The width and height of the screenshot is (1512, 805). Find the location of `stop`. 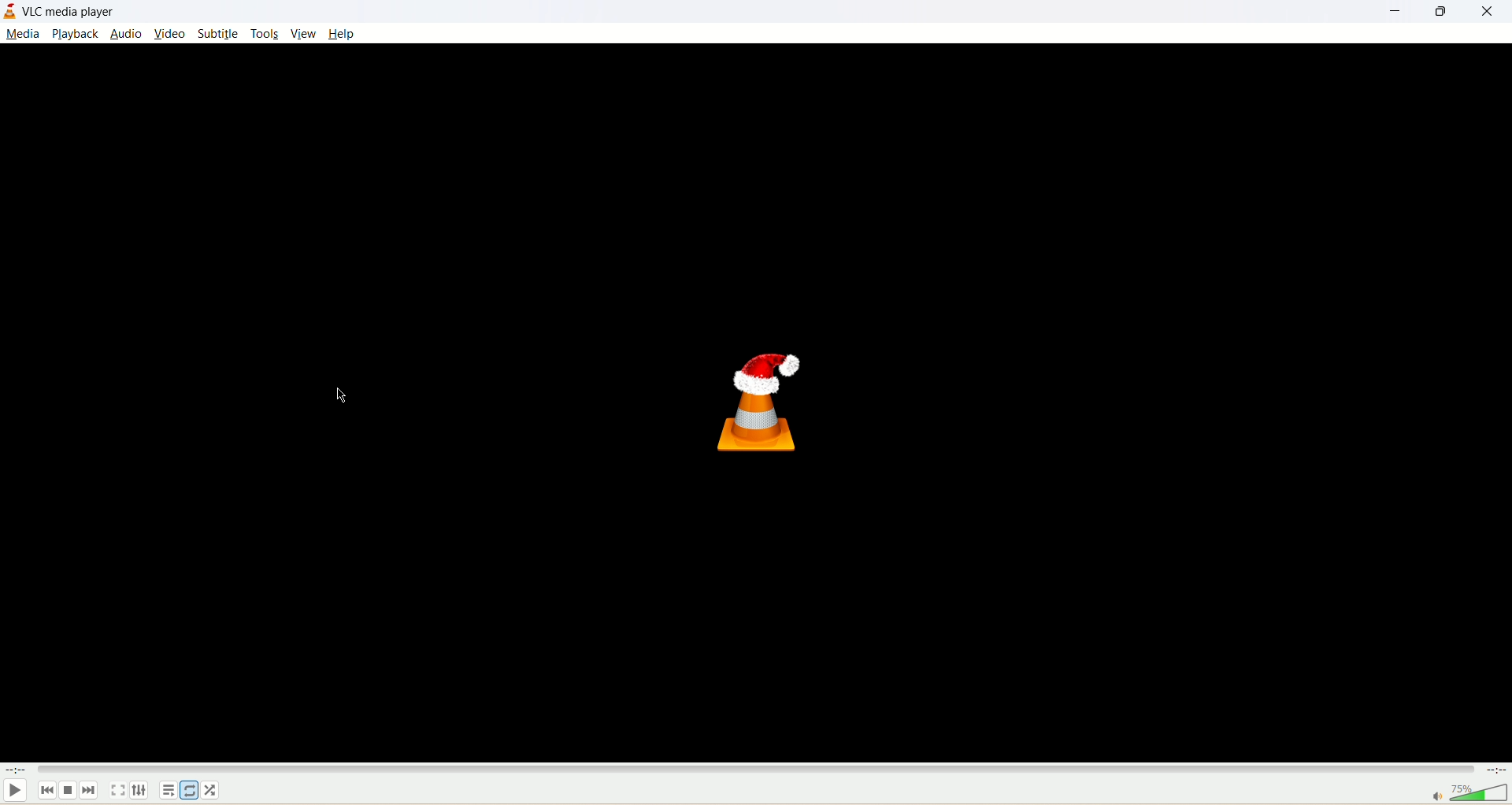

stop is located at coordinates (66, 792).